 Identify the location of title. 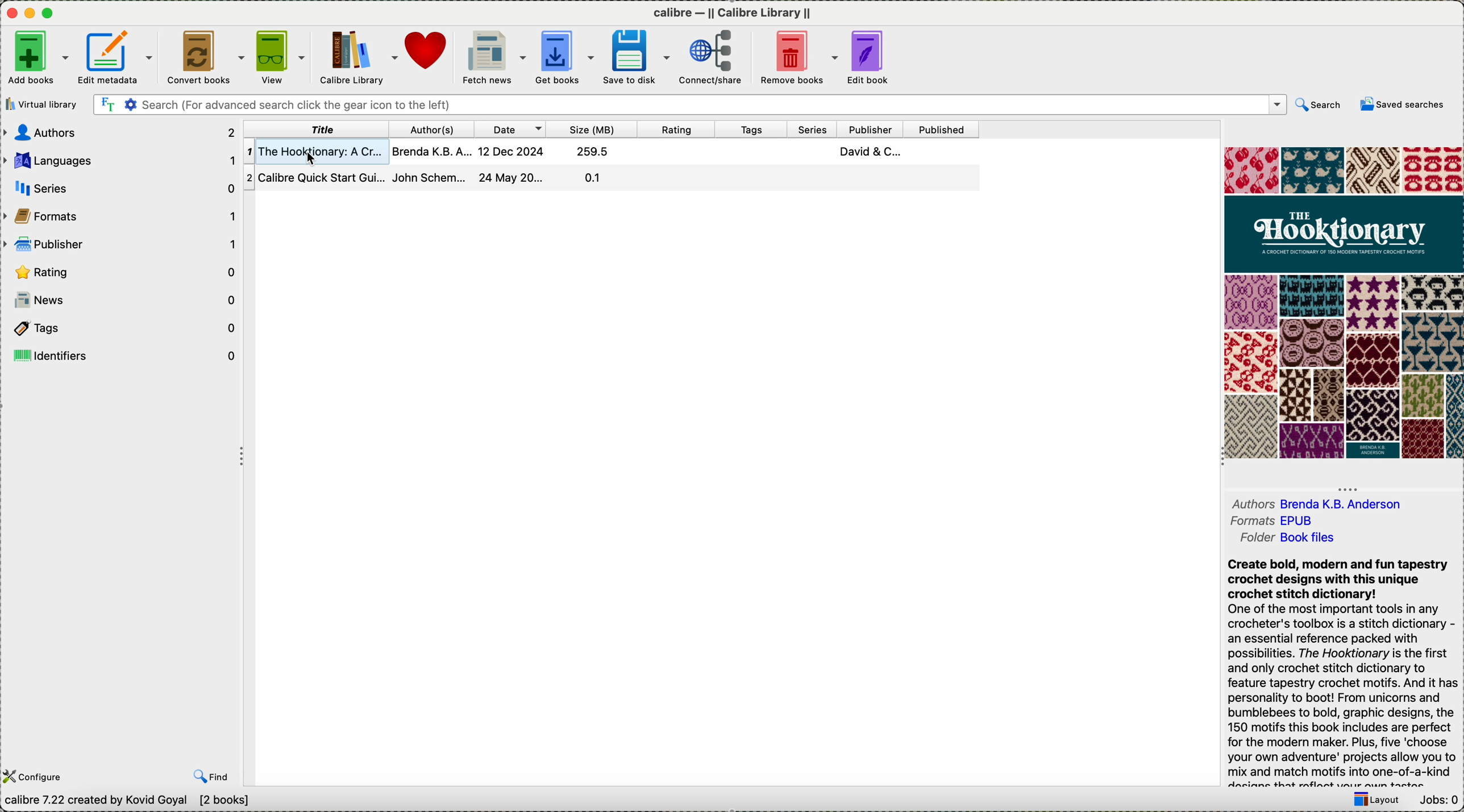
(315, 128).